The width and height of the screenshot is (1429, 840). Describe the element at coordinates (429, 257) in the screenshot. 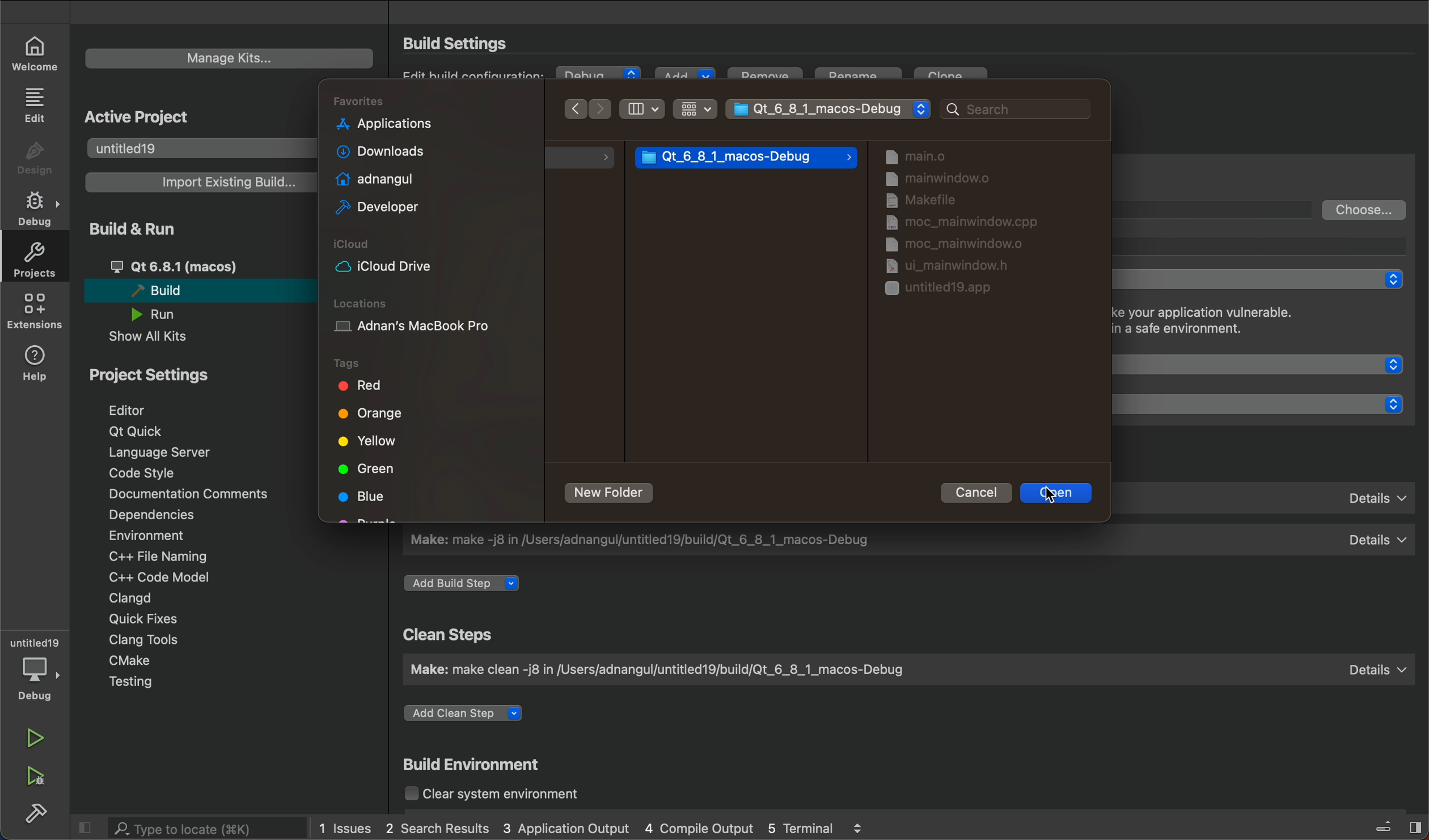

I see `cloud` at that location.